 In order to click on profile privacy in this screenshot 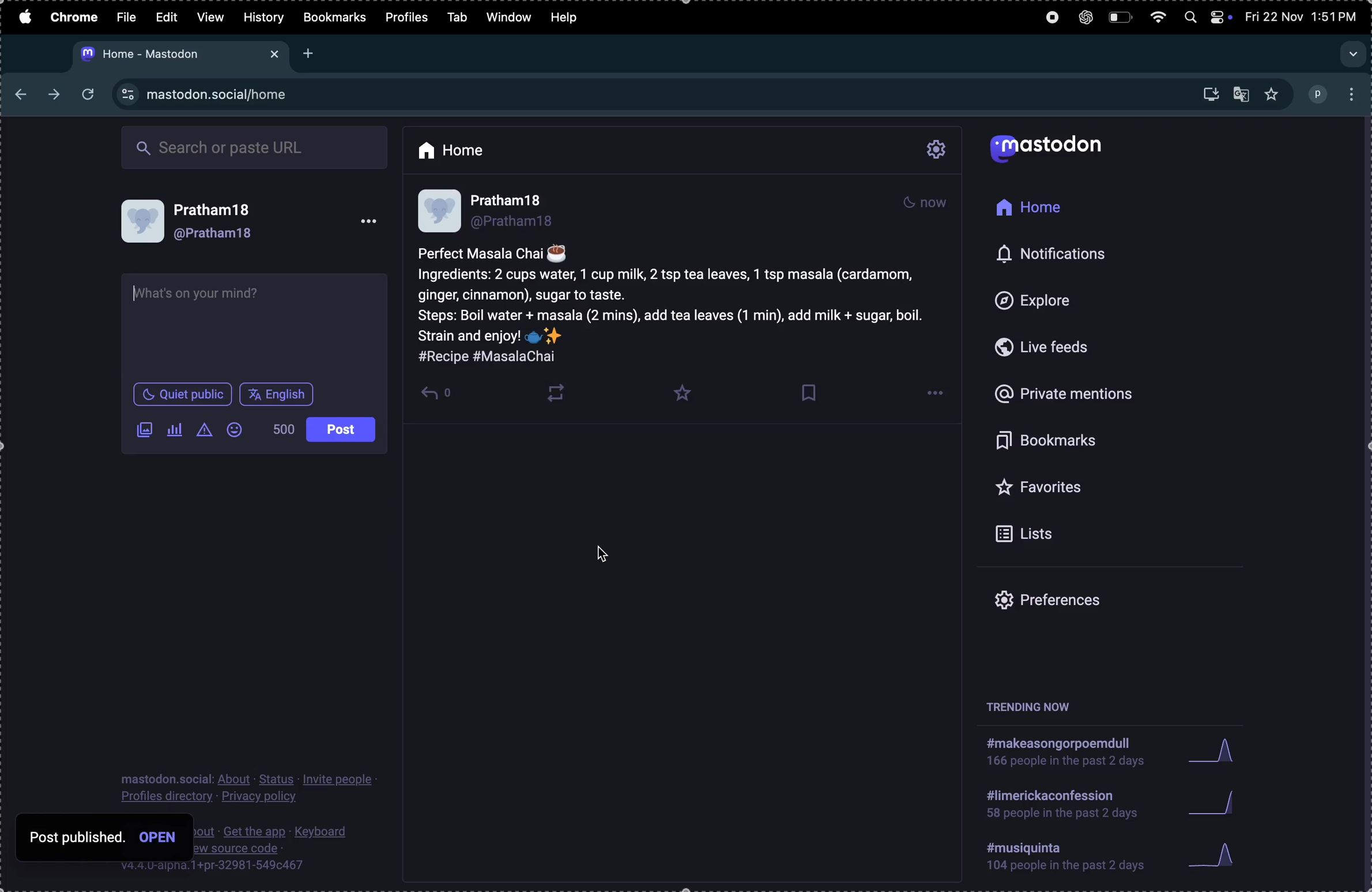, I will do `click(244, 783)`.